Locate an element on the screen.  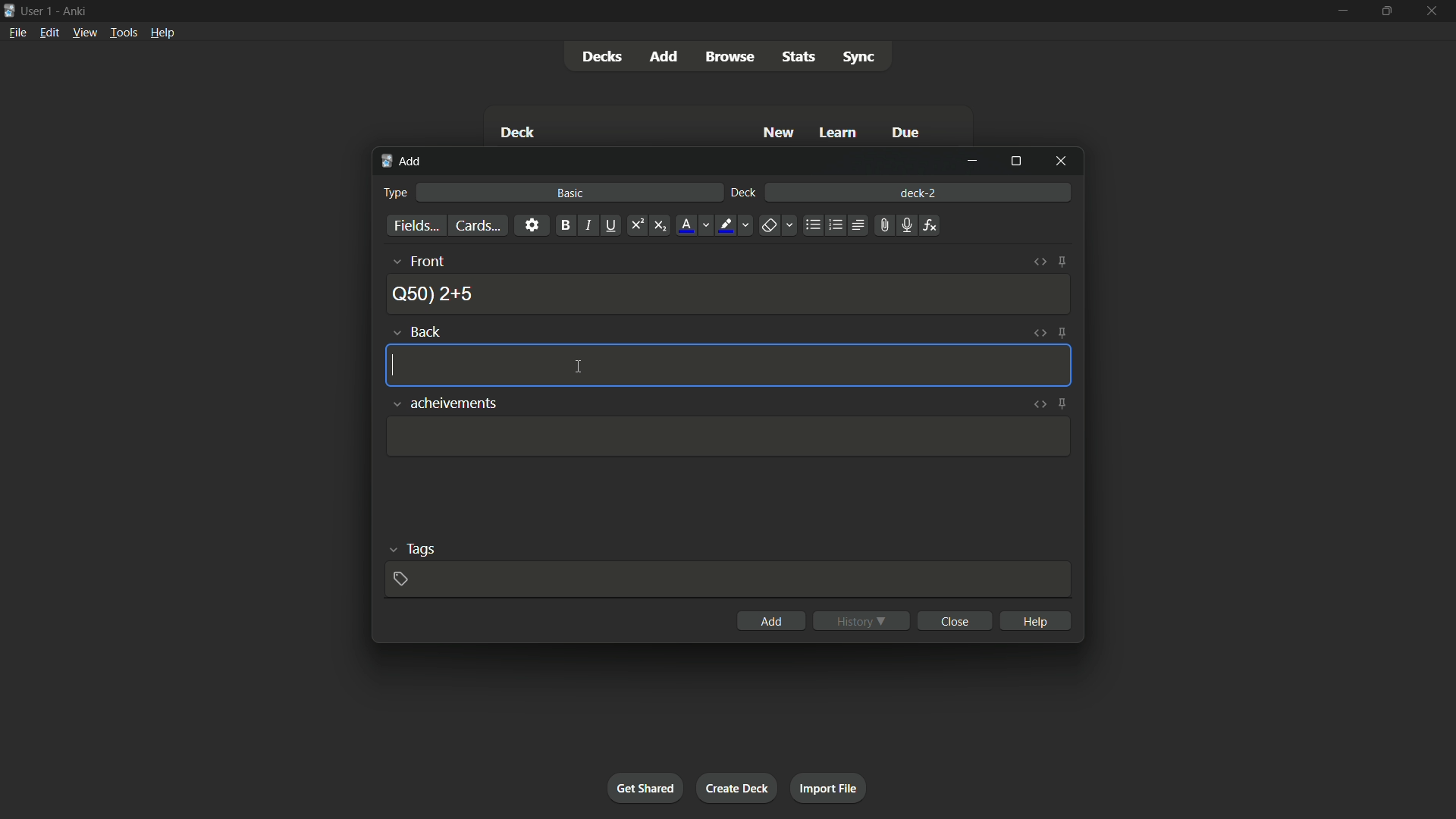
decks is located at coordinates (600, 56).